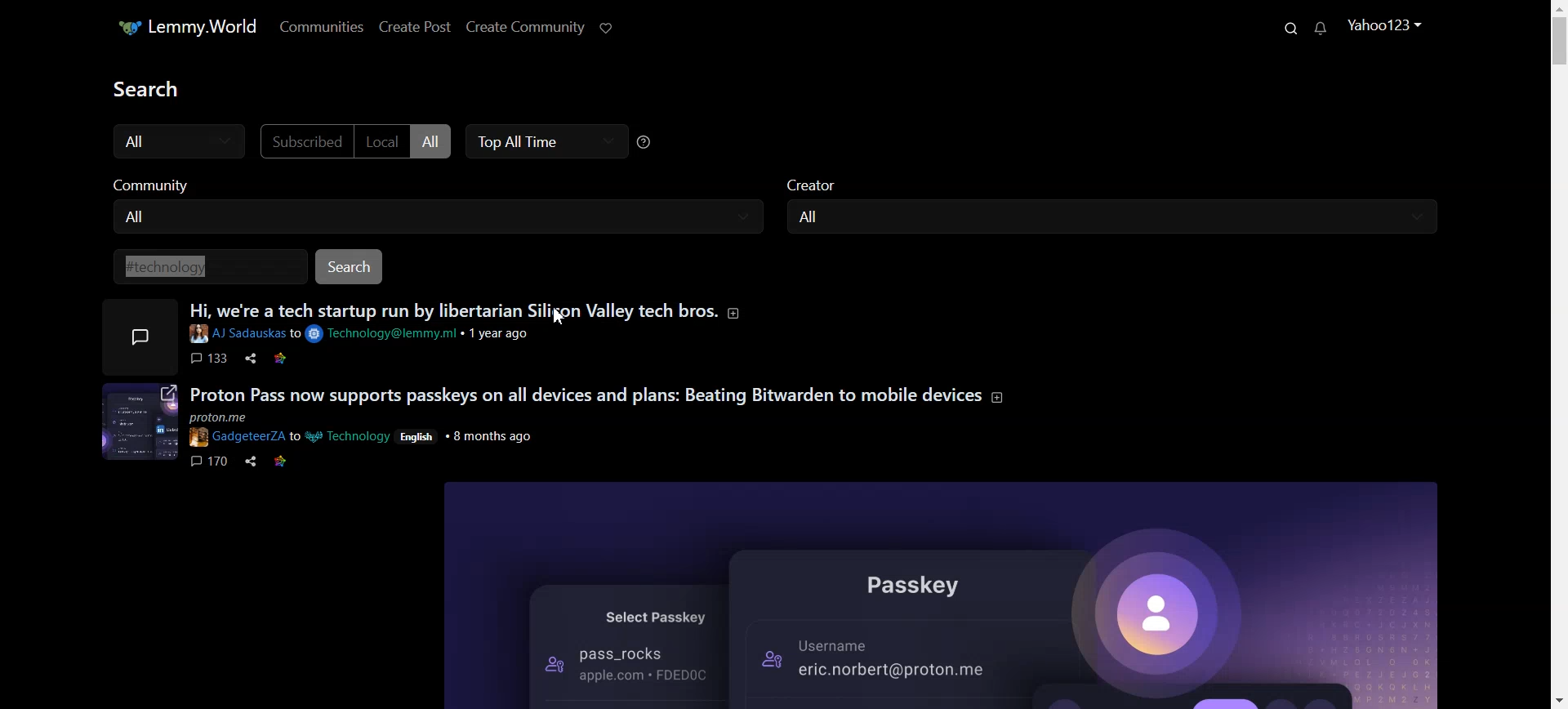 The image size is (1568, 709). What do you see at coordinates (434, 219) in the screenshot?
I see `All` at bounding box center [434, 219].